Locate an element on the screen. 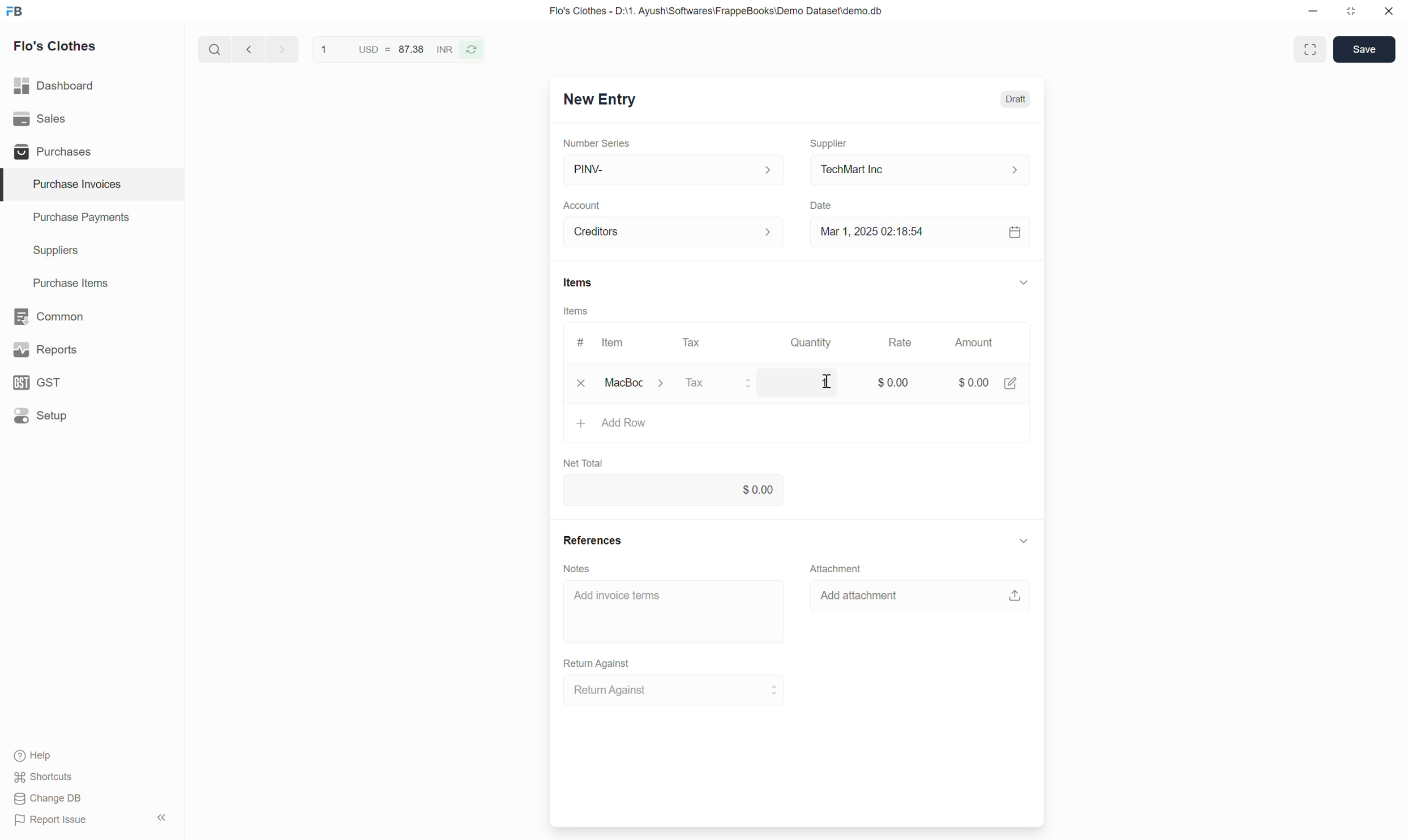 Image resolution: width=1408 pixels, height=840 pixels. Collapse is located at coordinates (1024, 282).